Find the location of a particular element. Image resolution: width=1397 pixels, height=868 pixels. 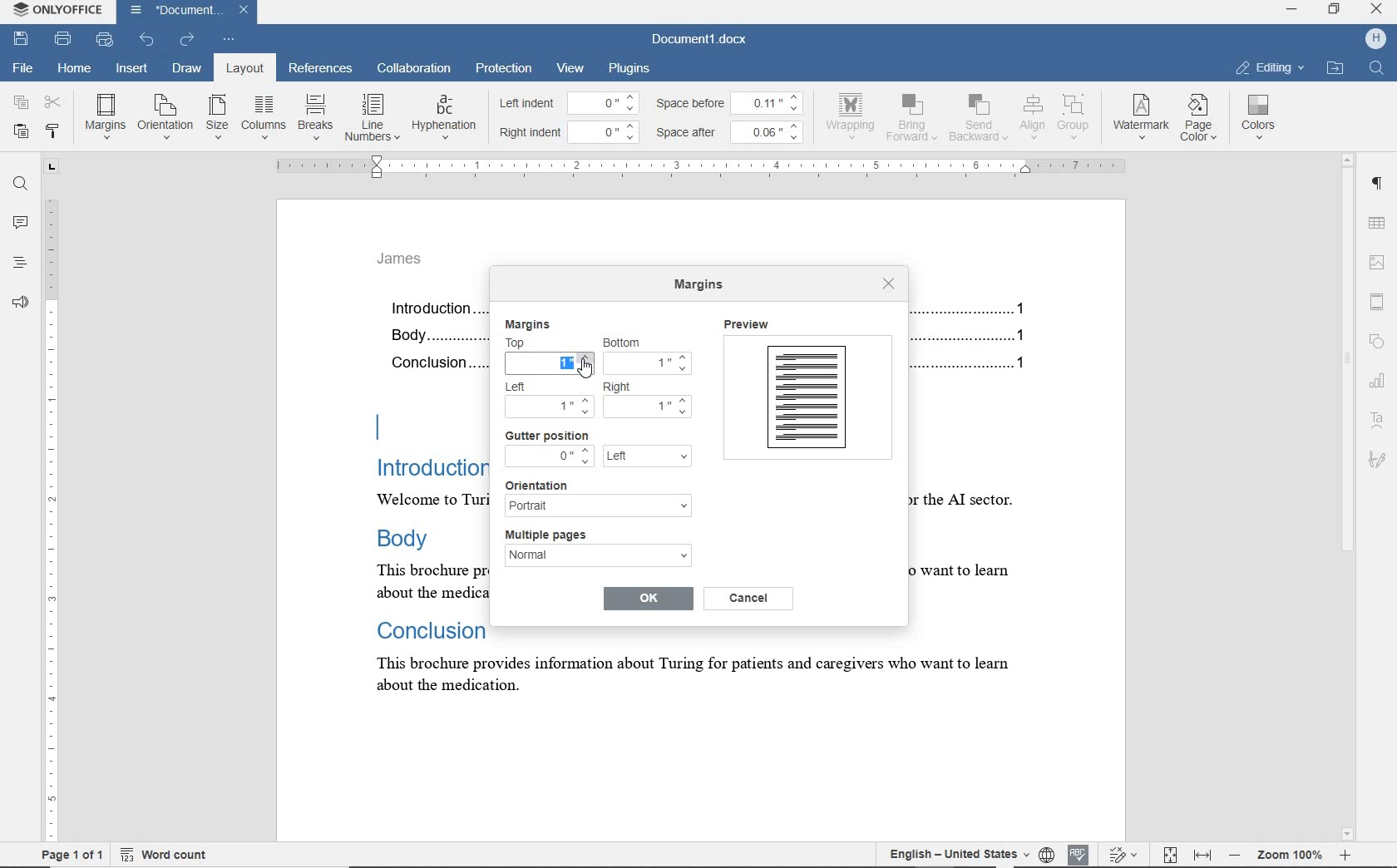

line numbers is located at coordinates (371, 117).